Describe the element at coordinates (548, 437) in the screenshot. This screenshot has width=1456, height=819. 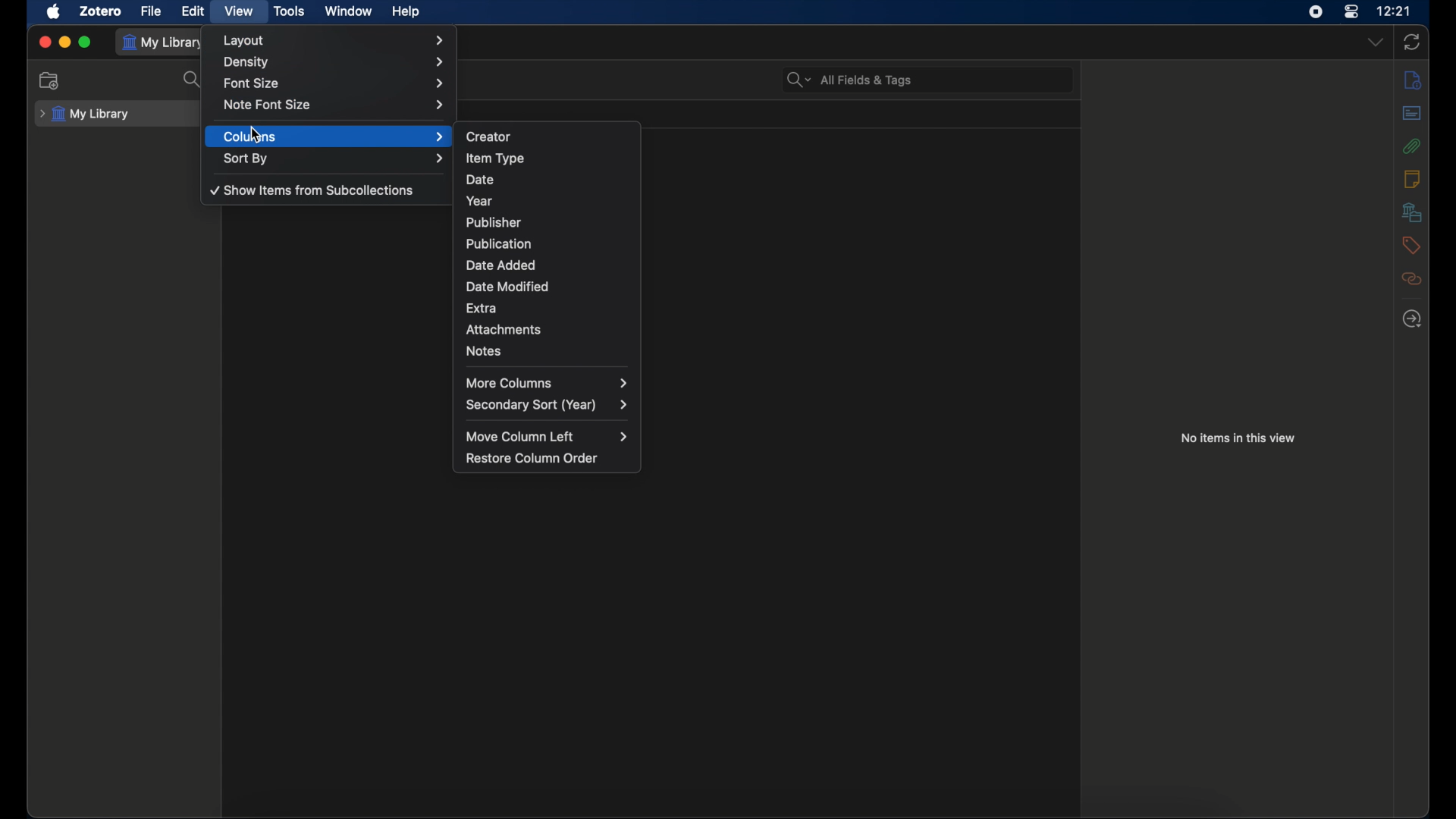
I see `move column left` at that location.